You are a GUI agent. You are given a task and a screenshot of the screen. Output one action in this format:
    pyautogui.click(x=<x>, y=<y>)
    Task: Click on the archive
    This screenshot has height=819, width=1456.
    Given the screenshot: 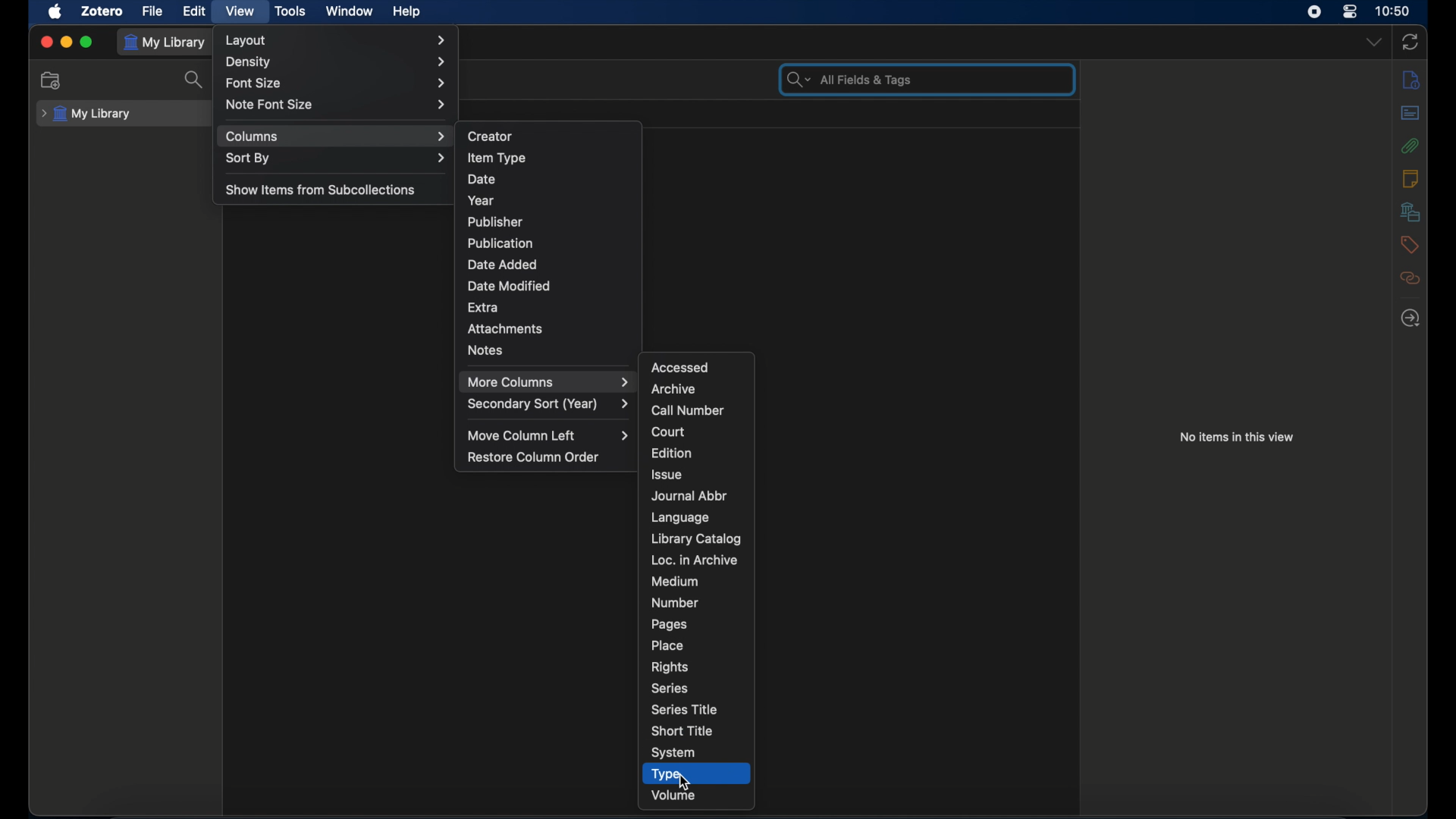 What is the action you would take?
    pyautogui.click(x=674, y=388)
    